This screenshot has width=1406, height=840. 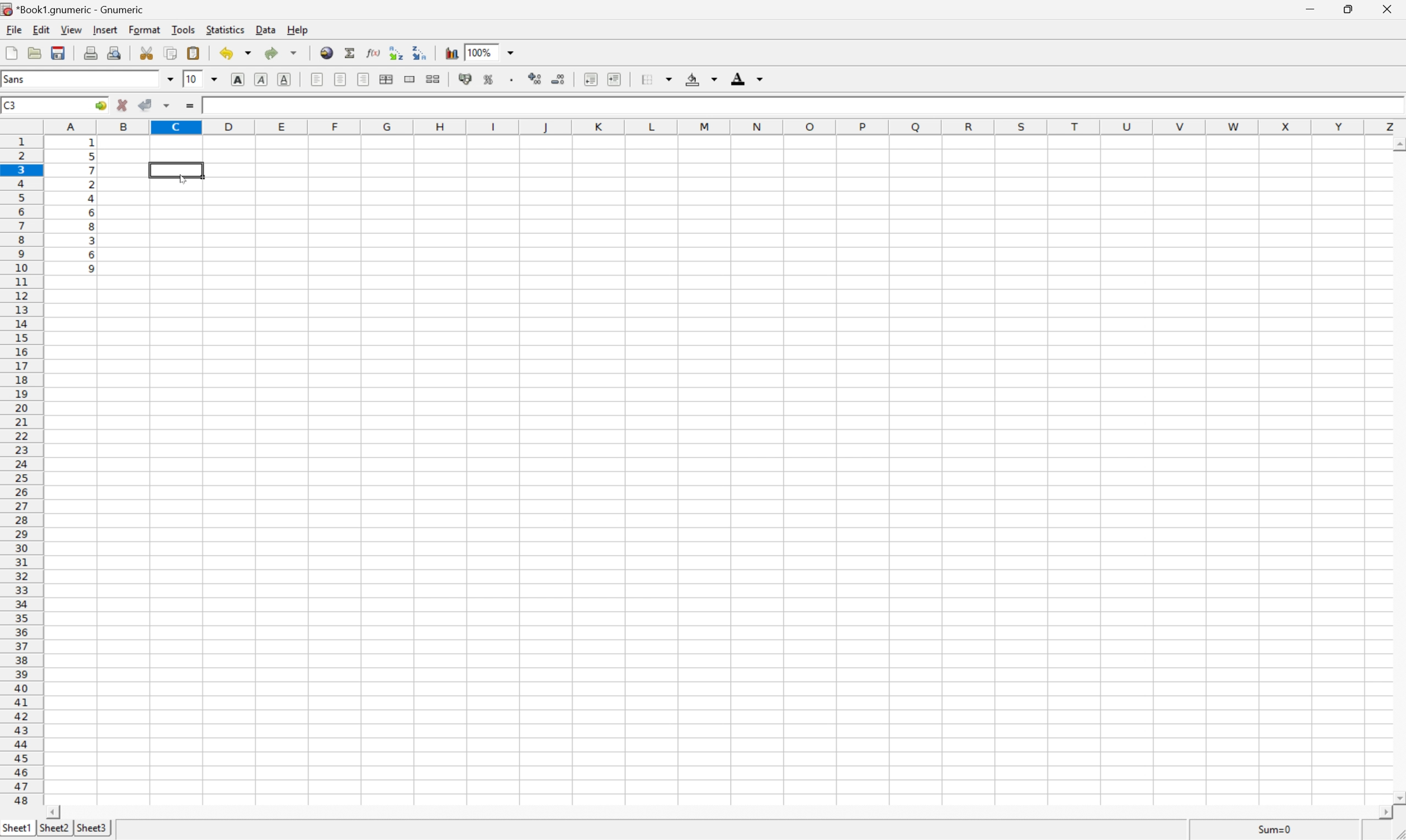 I want to click on scroll left, so click(x=54, y=811).